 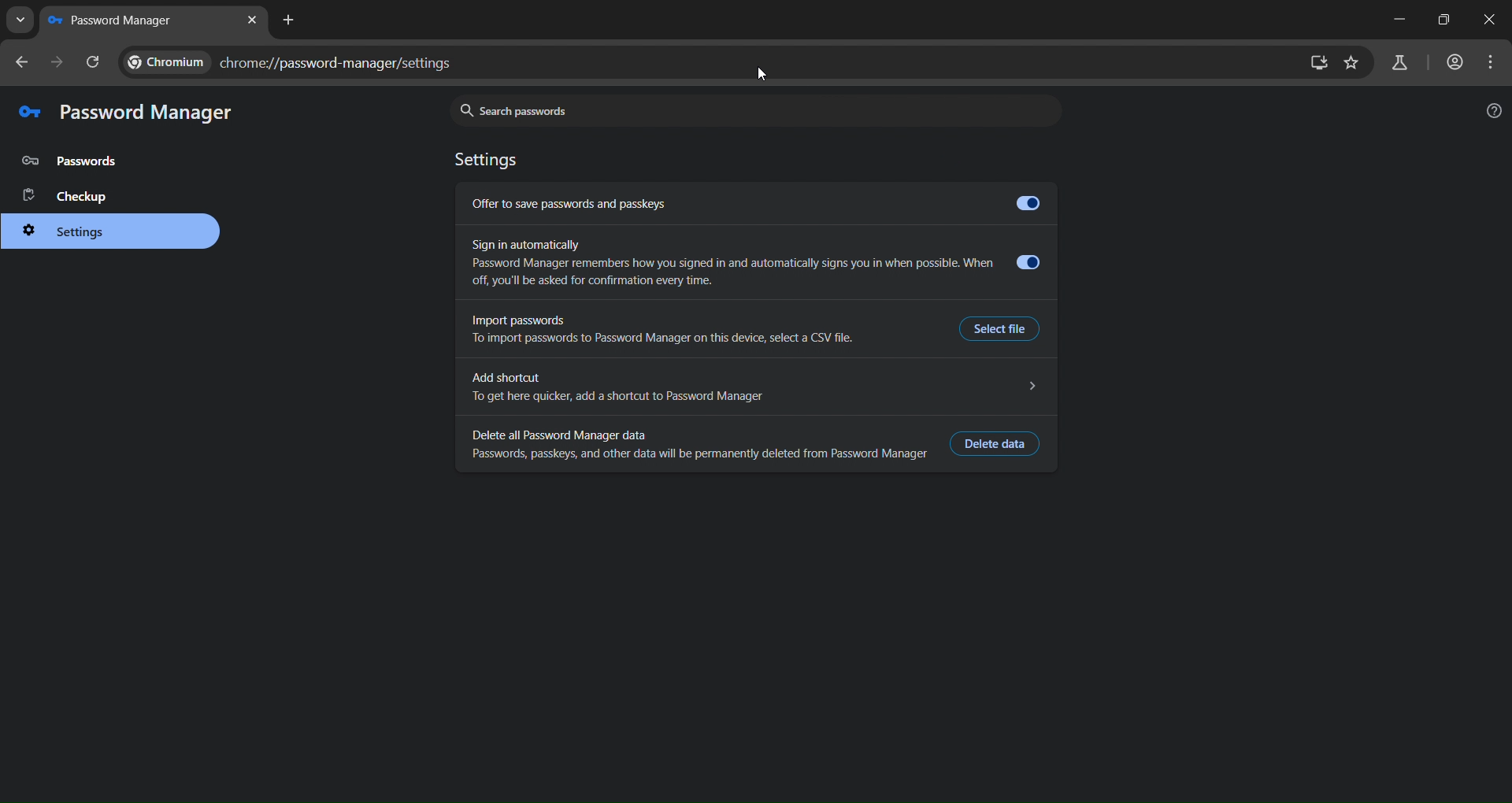 What do you see at coordinates (21, 62) in the screenshot?
I see `go back one page` at bounding box center [21, 62].